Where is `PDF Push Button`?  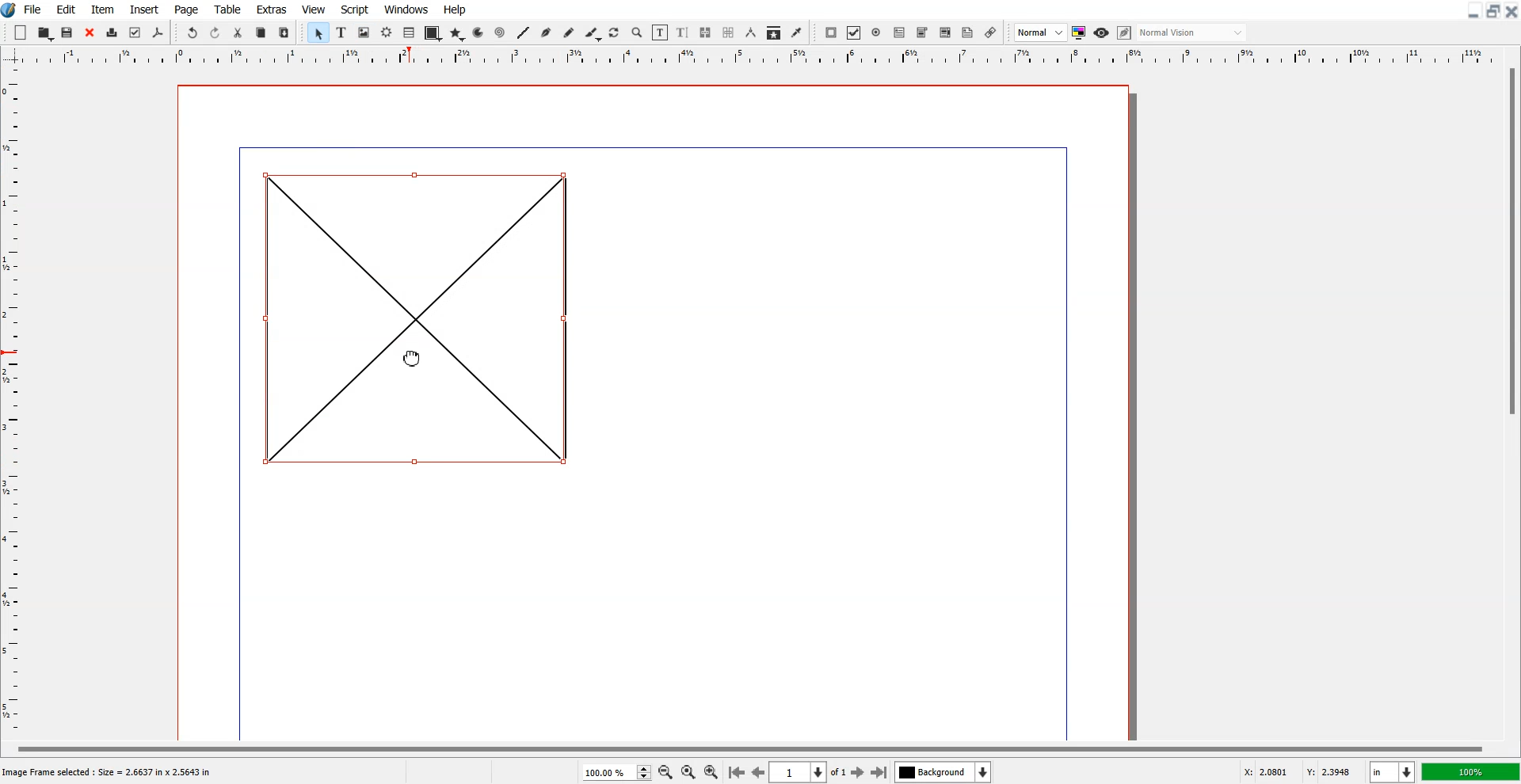
PDF Push Button is located at coordinates (832, 32).